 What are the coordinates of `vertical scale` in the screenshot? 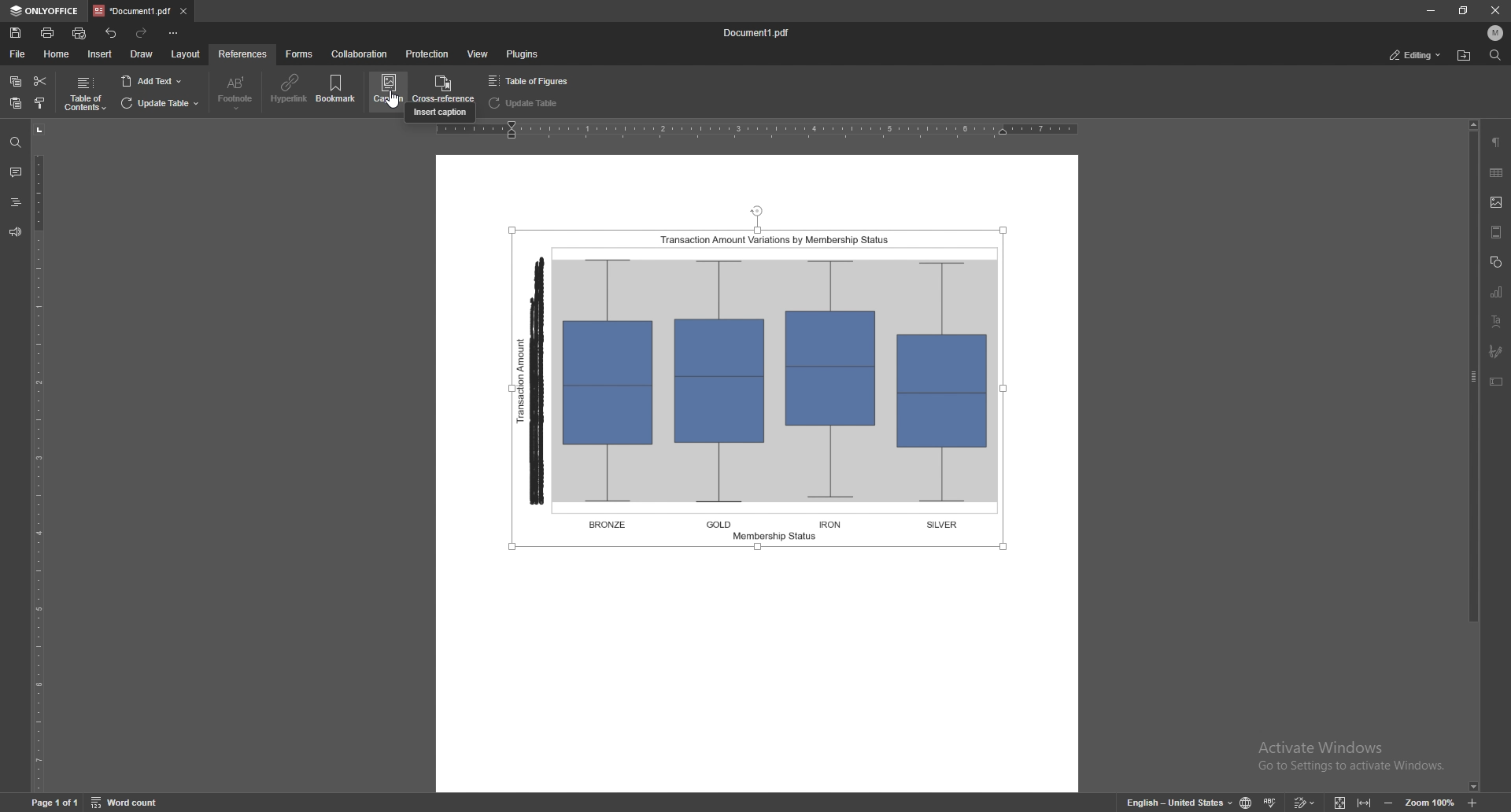 It's located at (45, 457).